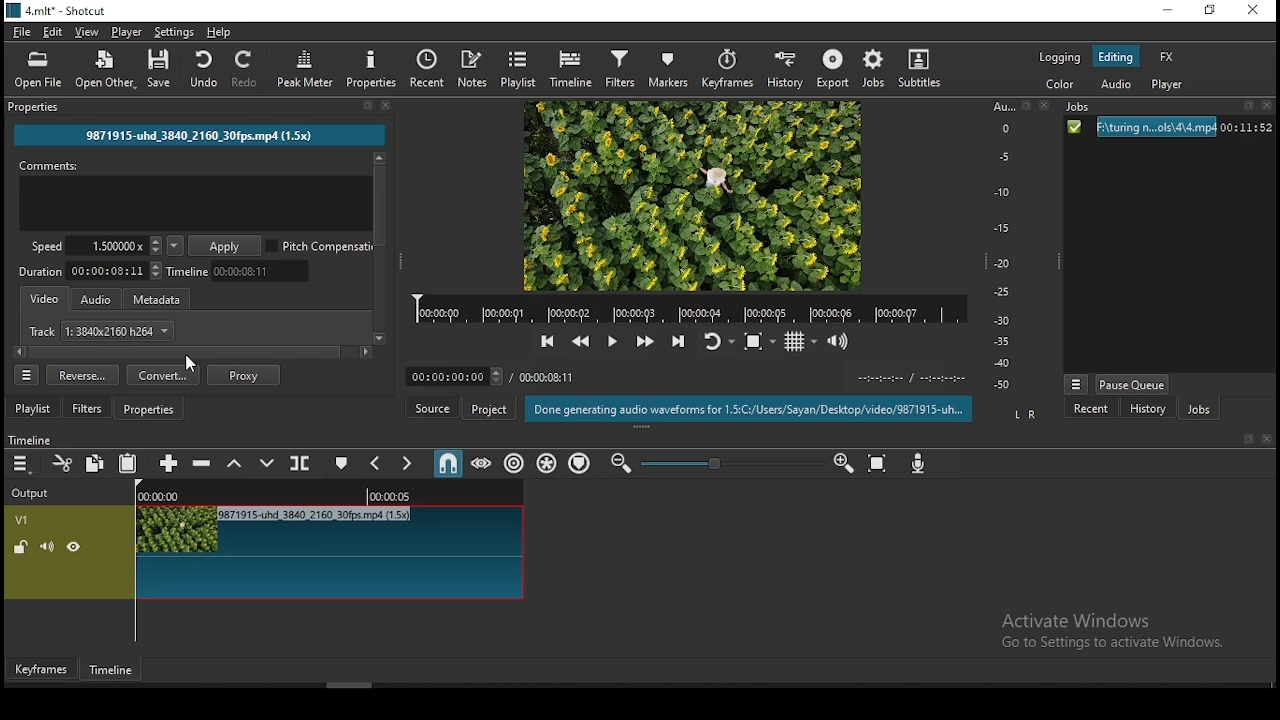  I want to click on track, so click(102, 331).